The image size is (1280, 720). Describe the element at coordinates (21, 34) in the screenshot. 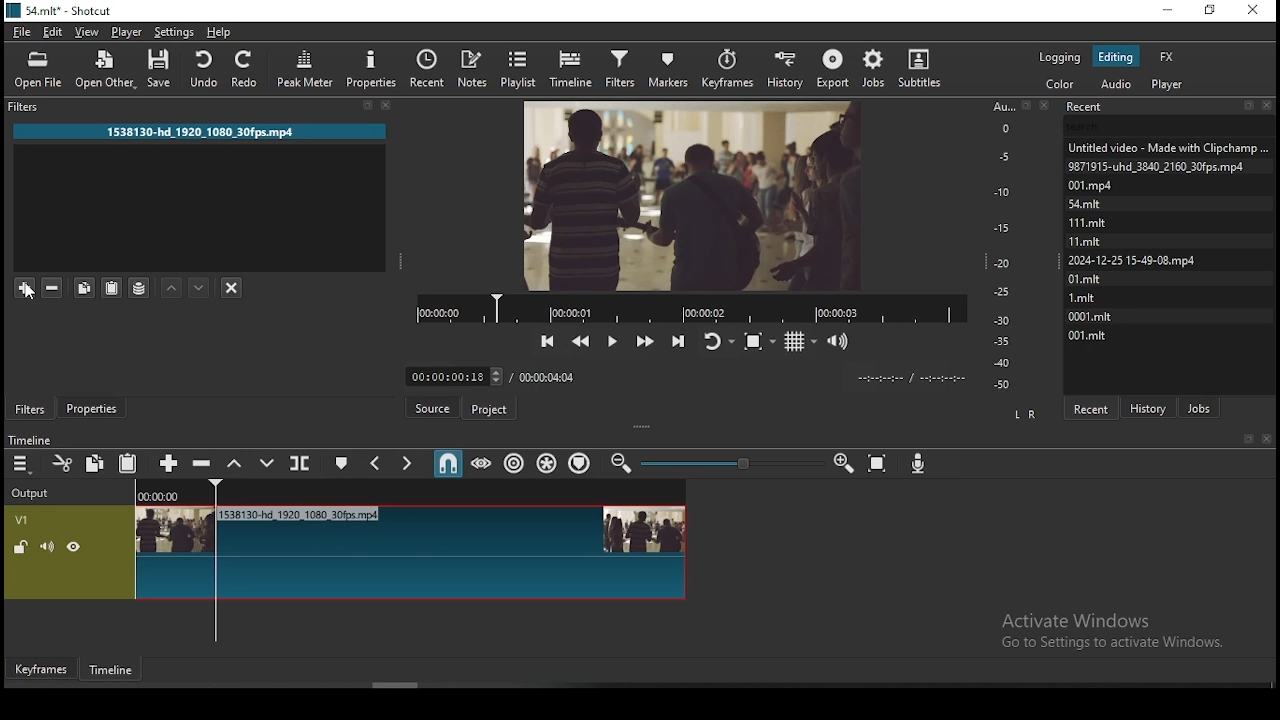

I see `file` at that location.